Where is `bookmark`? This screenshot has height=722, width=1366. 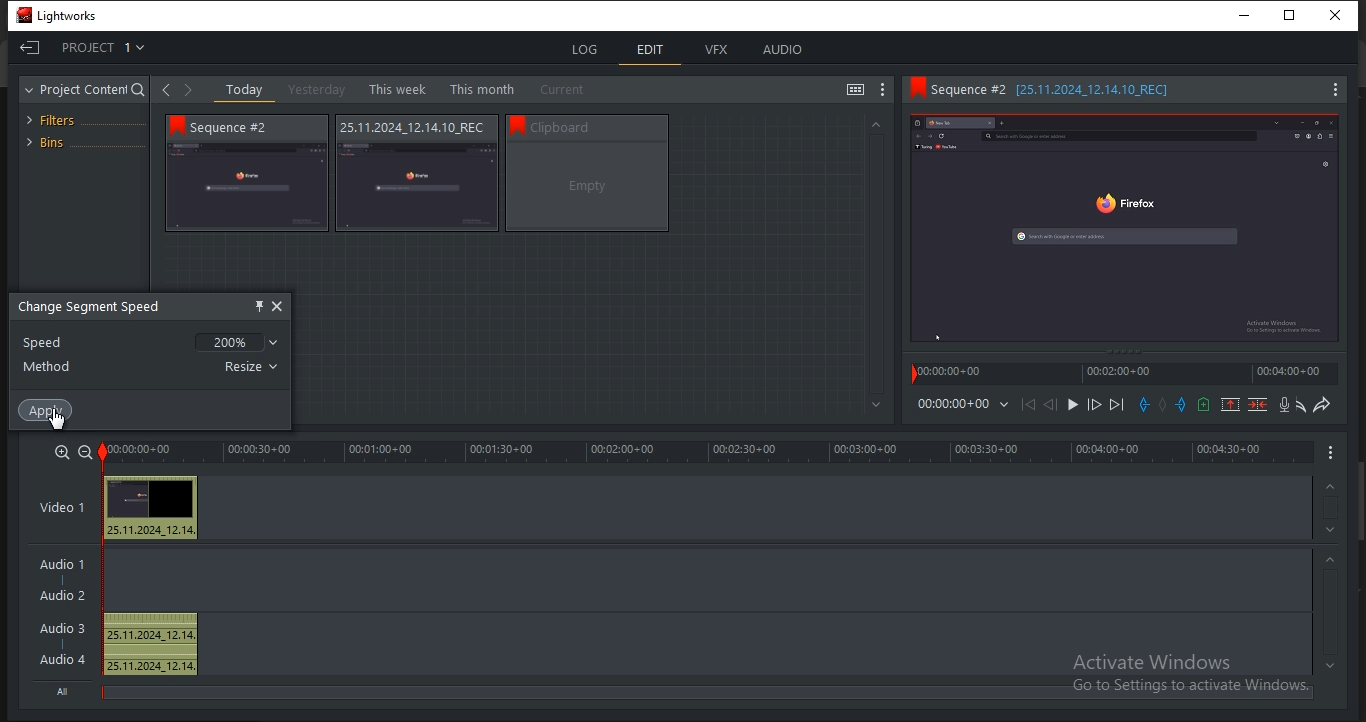
bookmark is located at coordinates (517, 124).